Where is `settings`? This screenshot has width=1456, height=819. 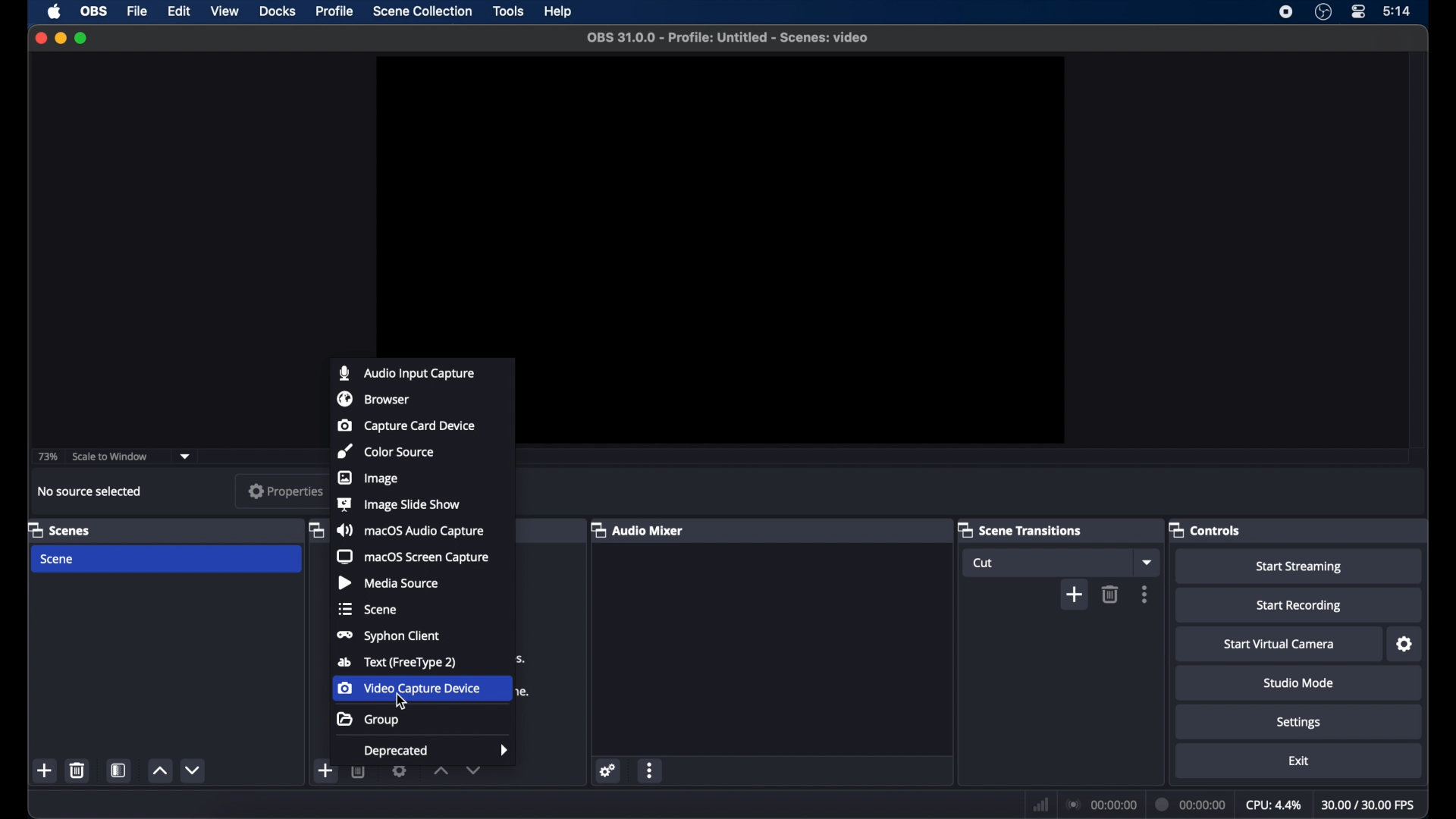
settings is located at coordinates (1405, 645).